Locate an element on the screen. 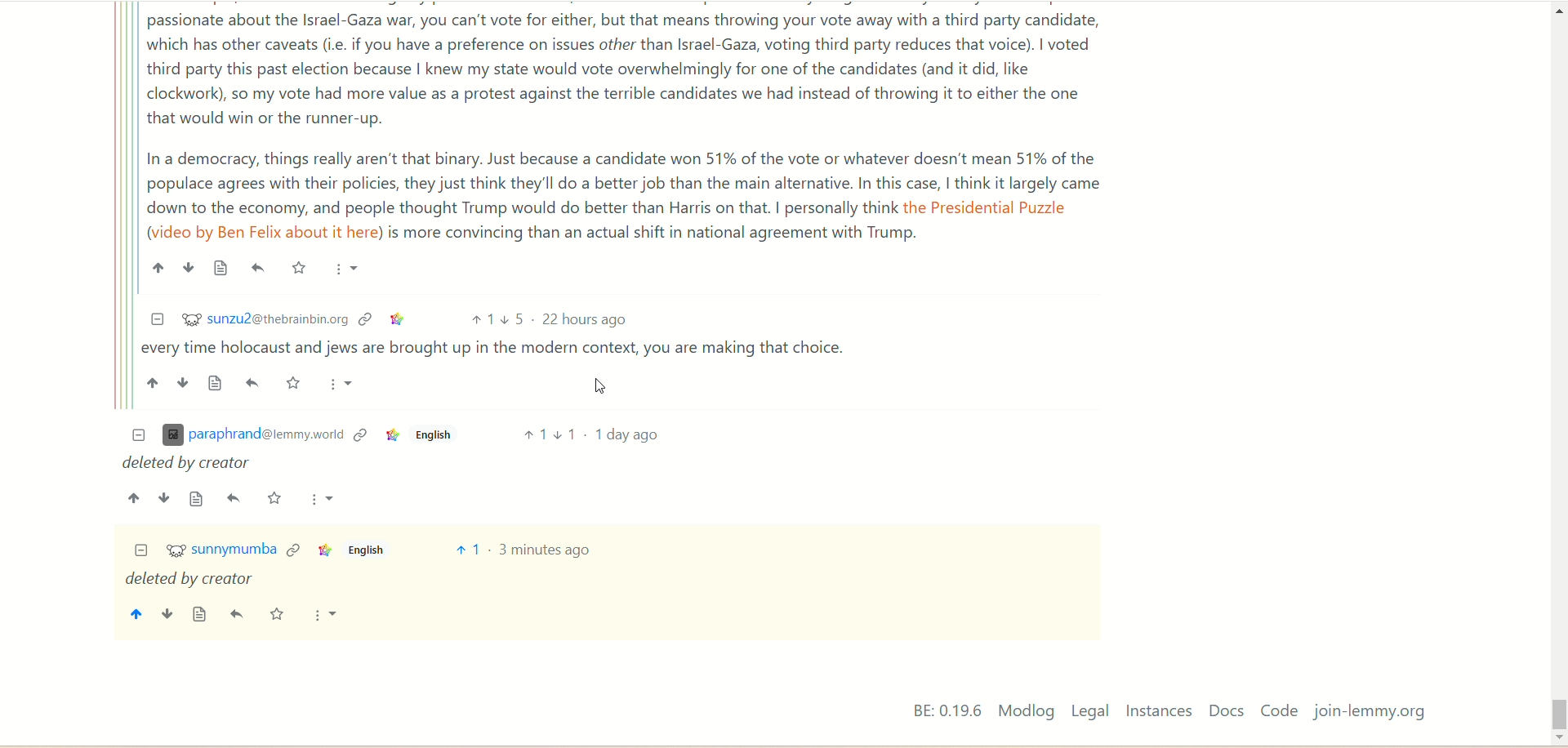  Collapse is located at coordinates (141, 551).